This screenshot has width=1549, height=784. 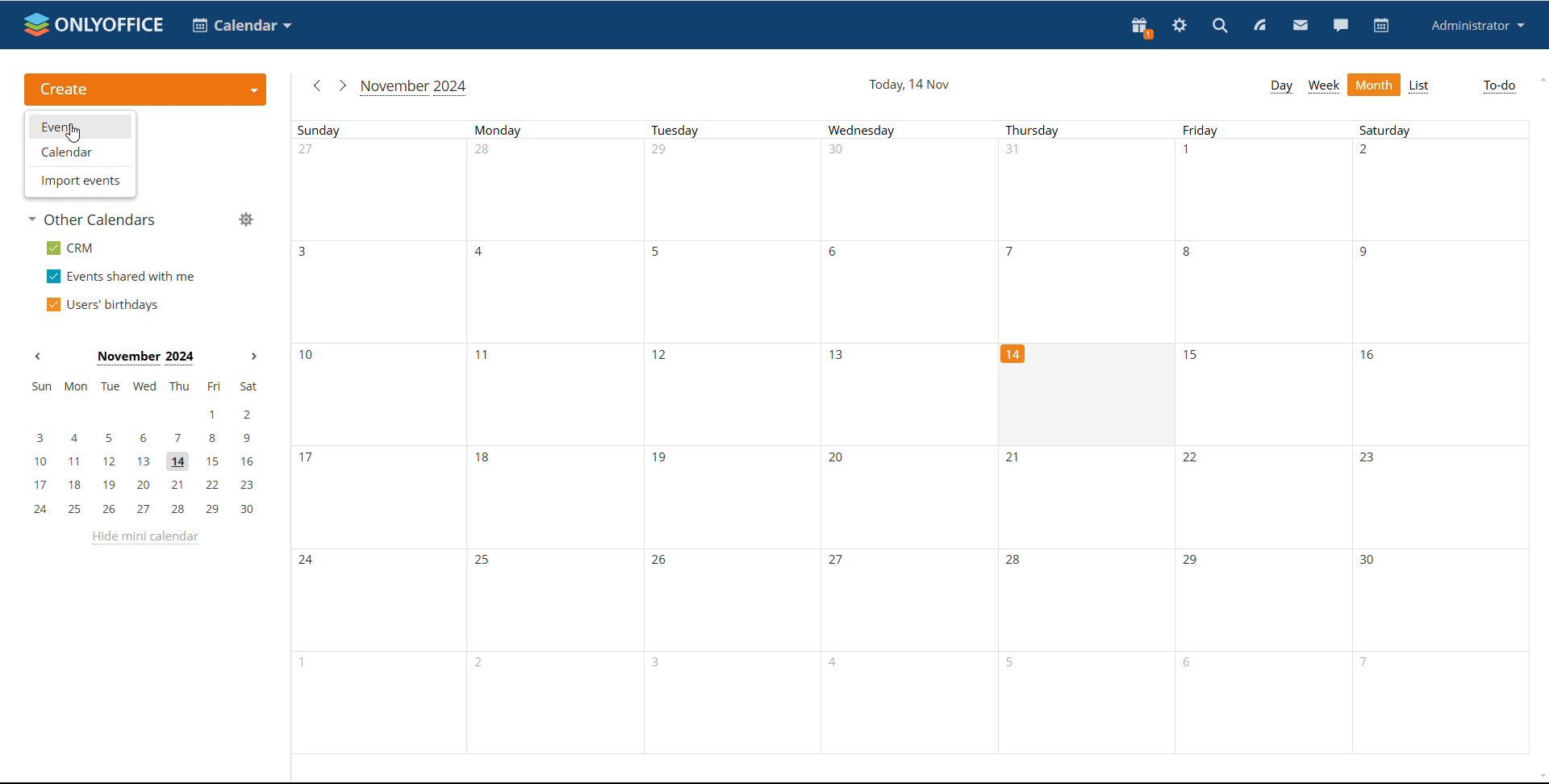 I want to click on next month, so click(x=340, y=85).